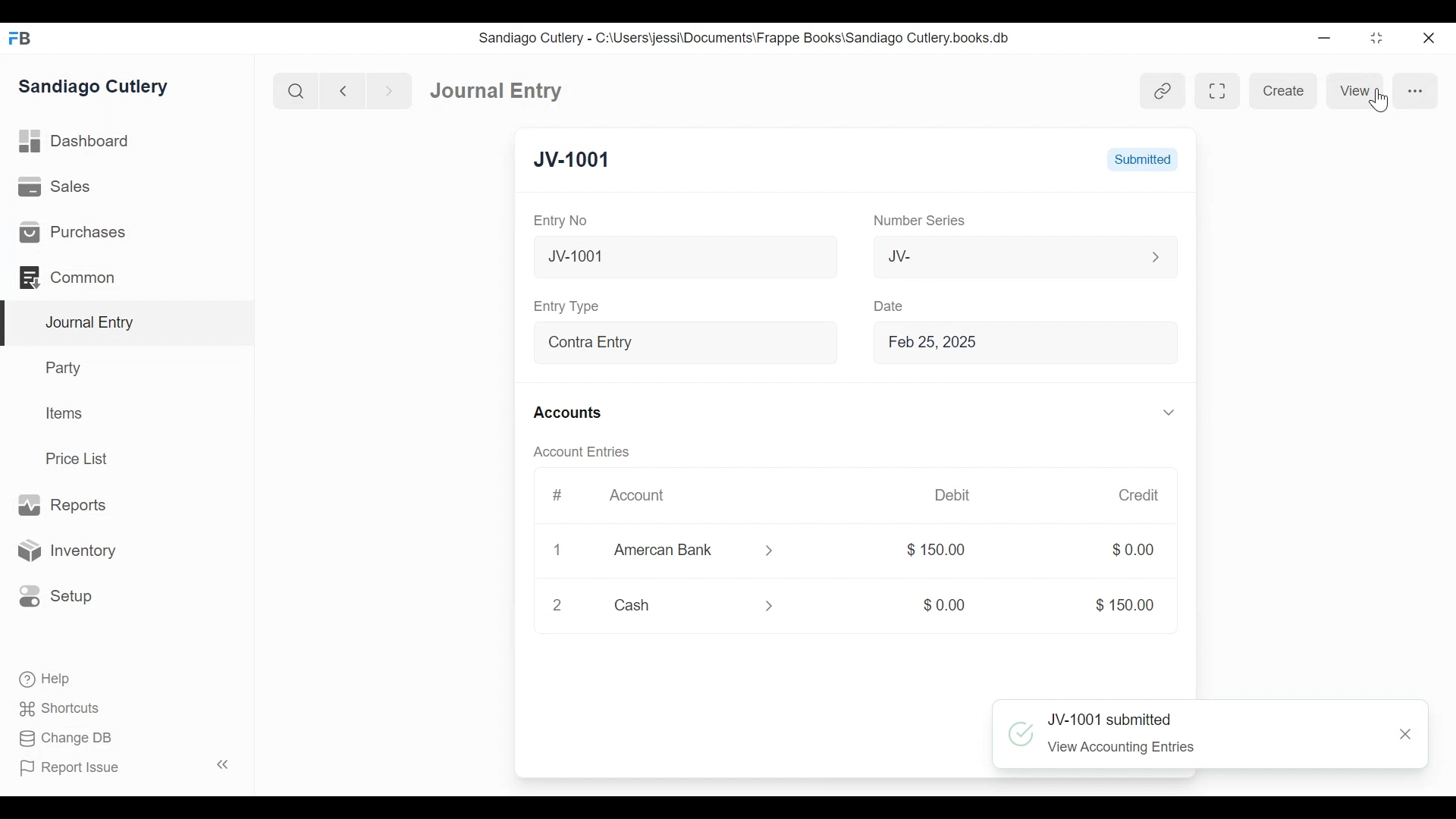 This screenshot has height=819, width=1456. I want to click on close, so click(558, 604).